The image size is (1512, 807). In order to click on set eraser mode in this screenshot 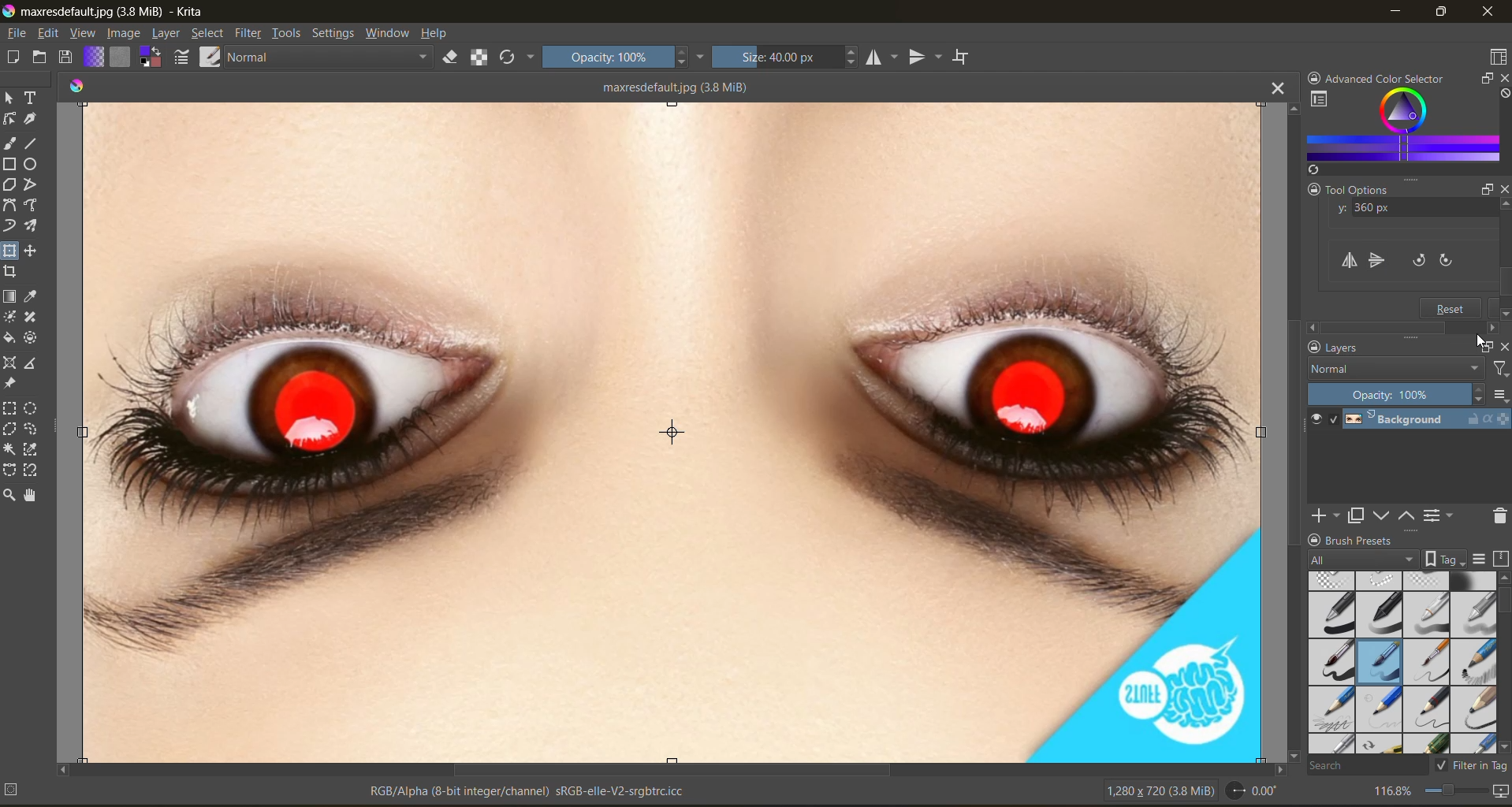, I will do `click(455, 57)`.